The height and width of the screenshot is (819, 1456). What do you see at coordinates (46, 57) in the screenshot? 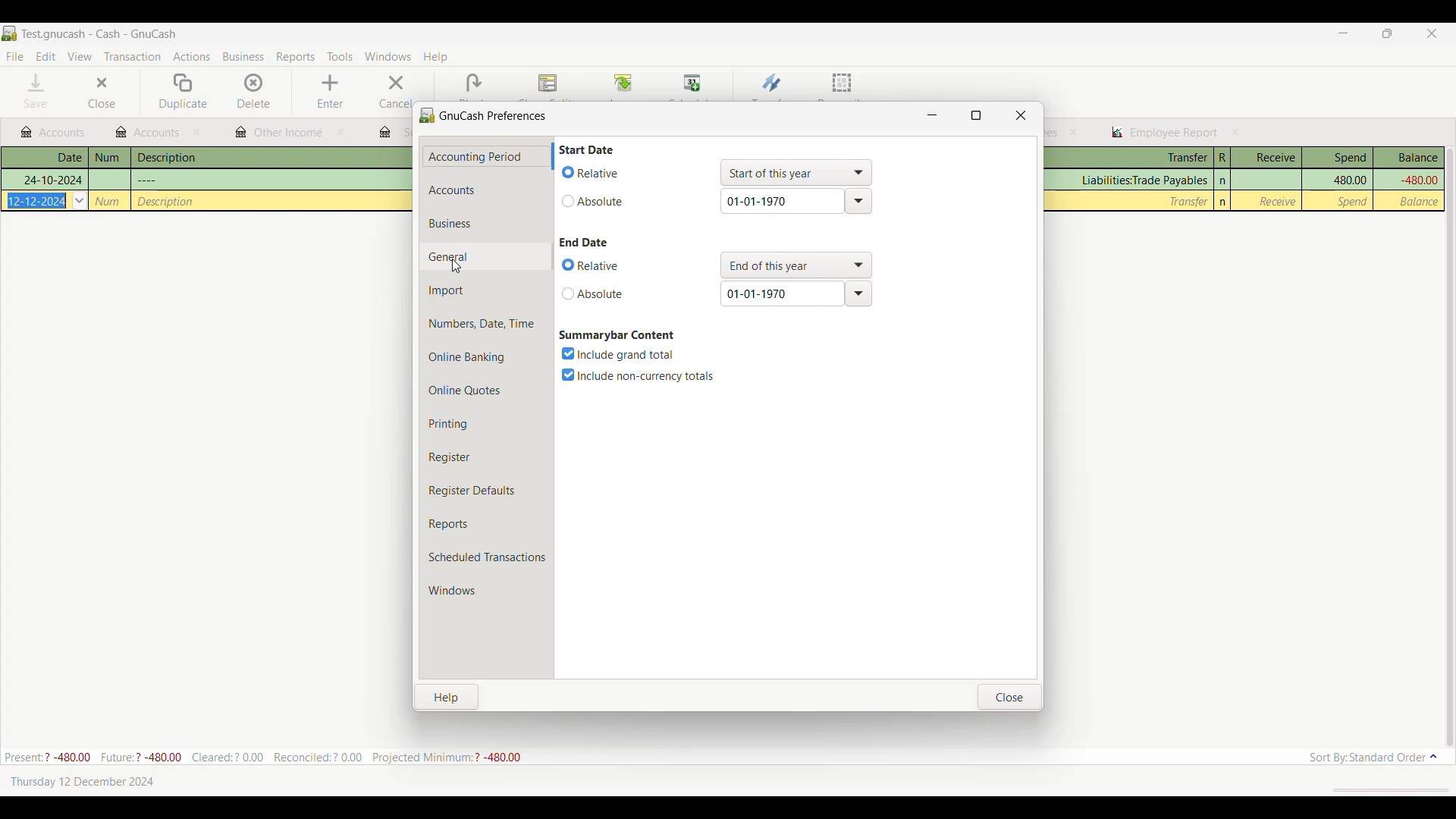
I see `Edit menu` at bounding box center [46, 57].